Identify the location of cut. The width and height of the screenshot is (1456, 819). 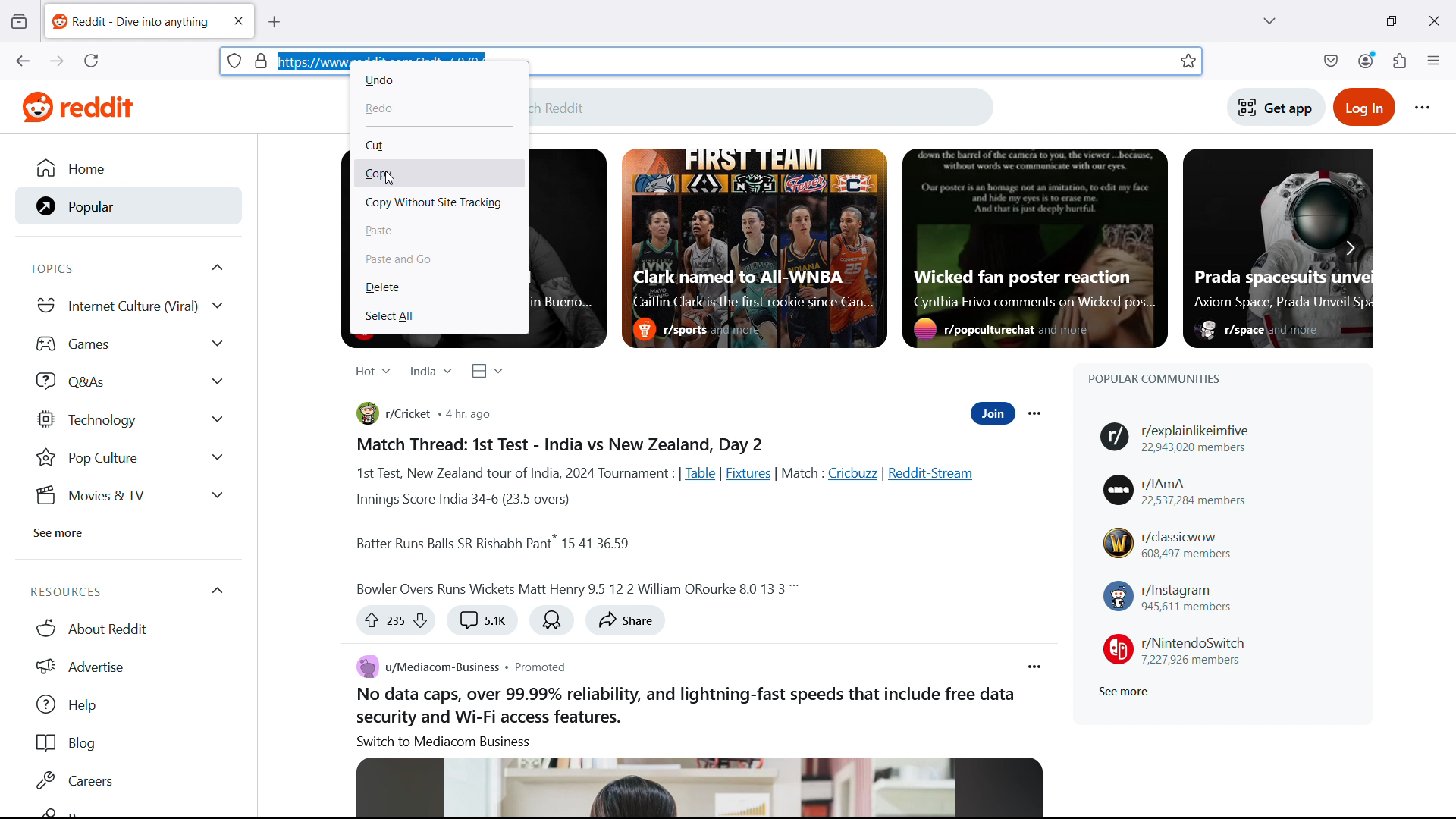
(440, 143).